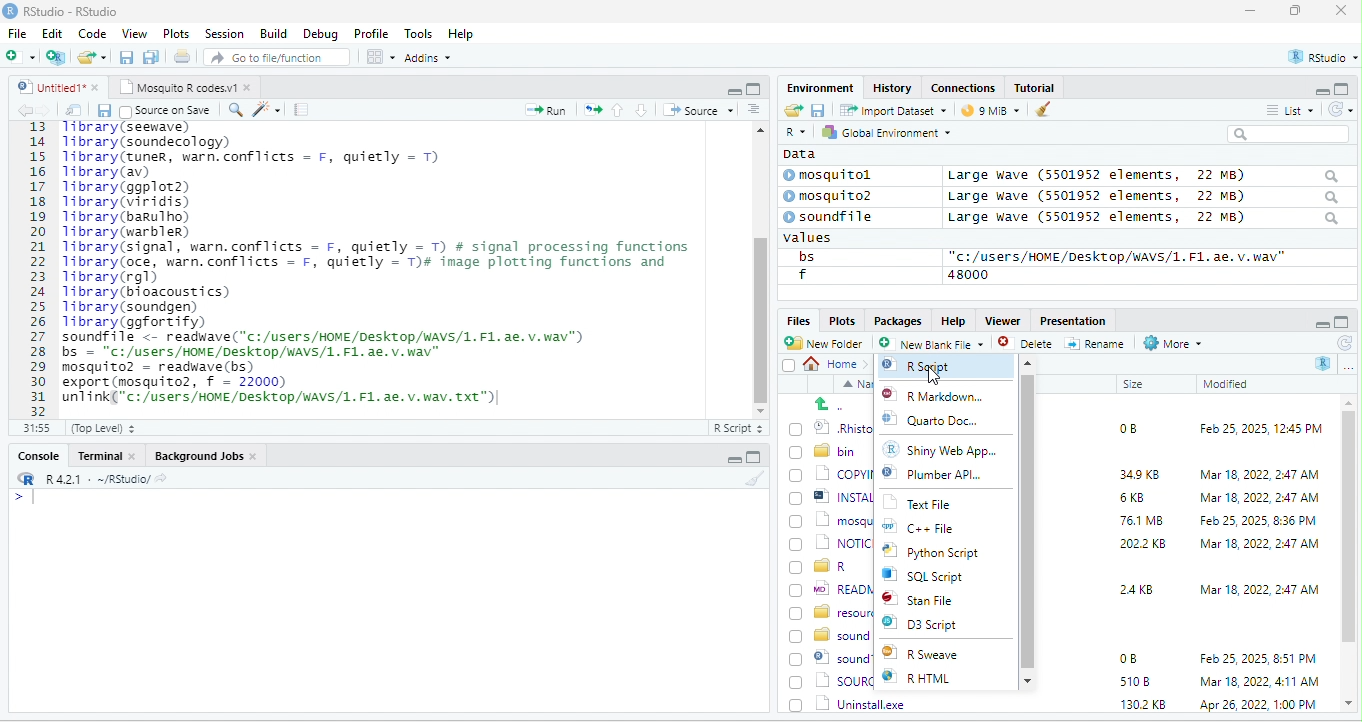  Describe the element at coordinates (731, 460) in the screenshot. I see `minimize` at that location.